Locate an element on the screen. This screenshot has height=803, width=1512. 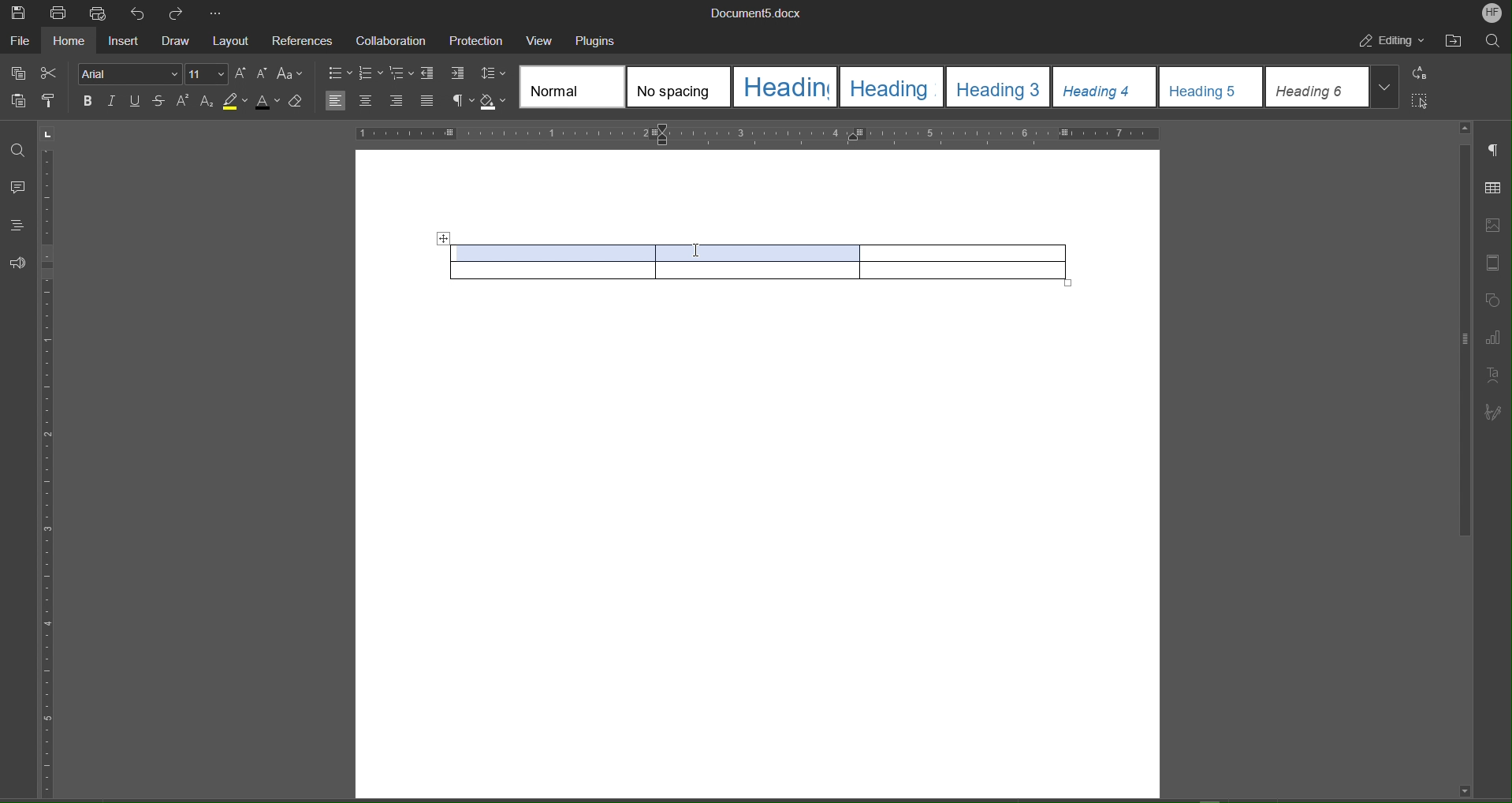
Table Settings is located at coordinates (1495, 187).